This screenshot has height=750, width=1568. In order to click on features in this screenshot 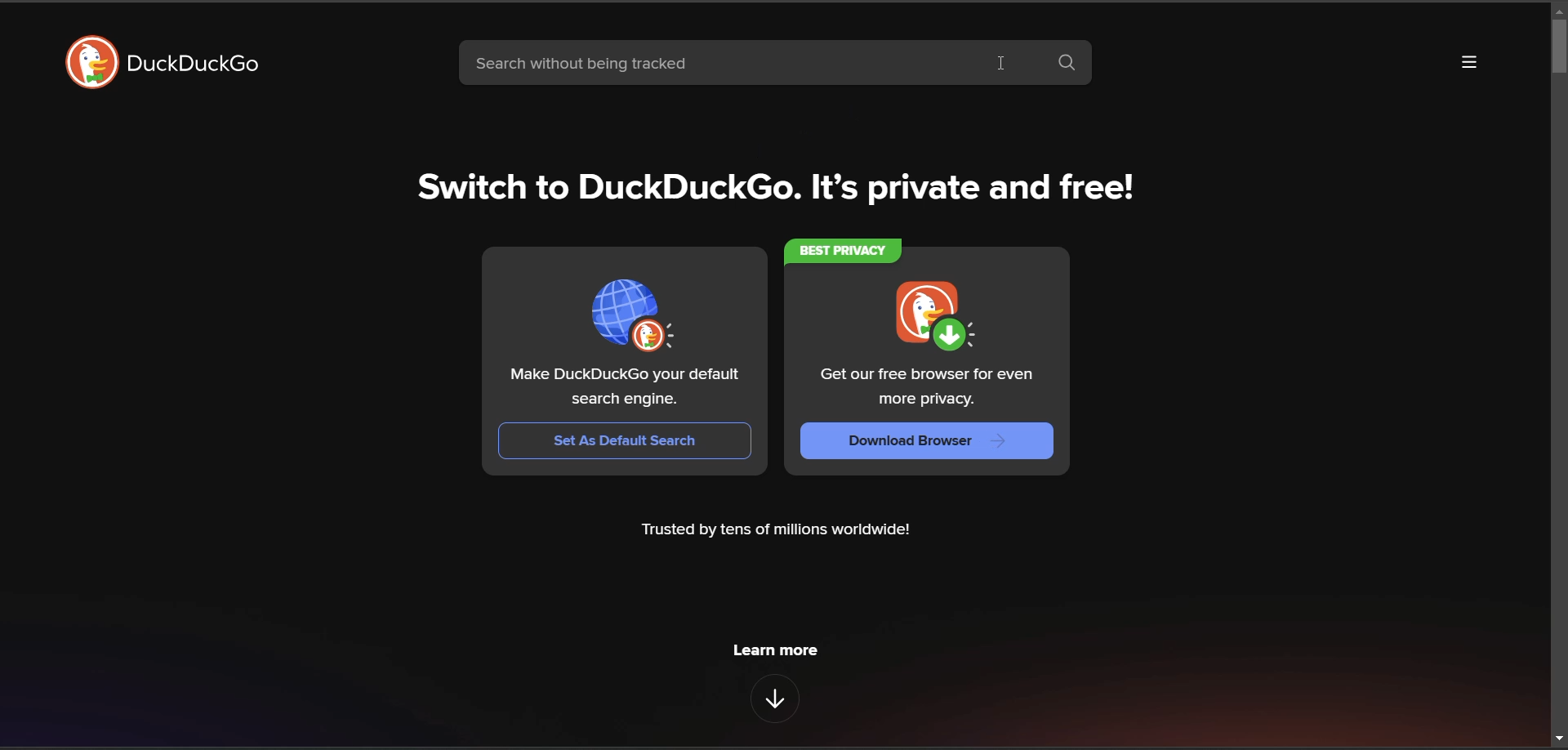, I will do `click(774, 699)`.